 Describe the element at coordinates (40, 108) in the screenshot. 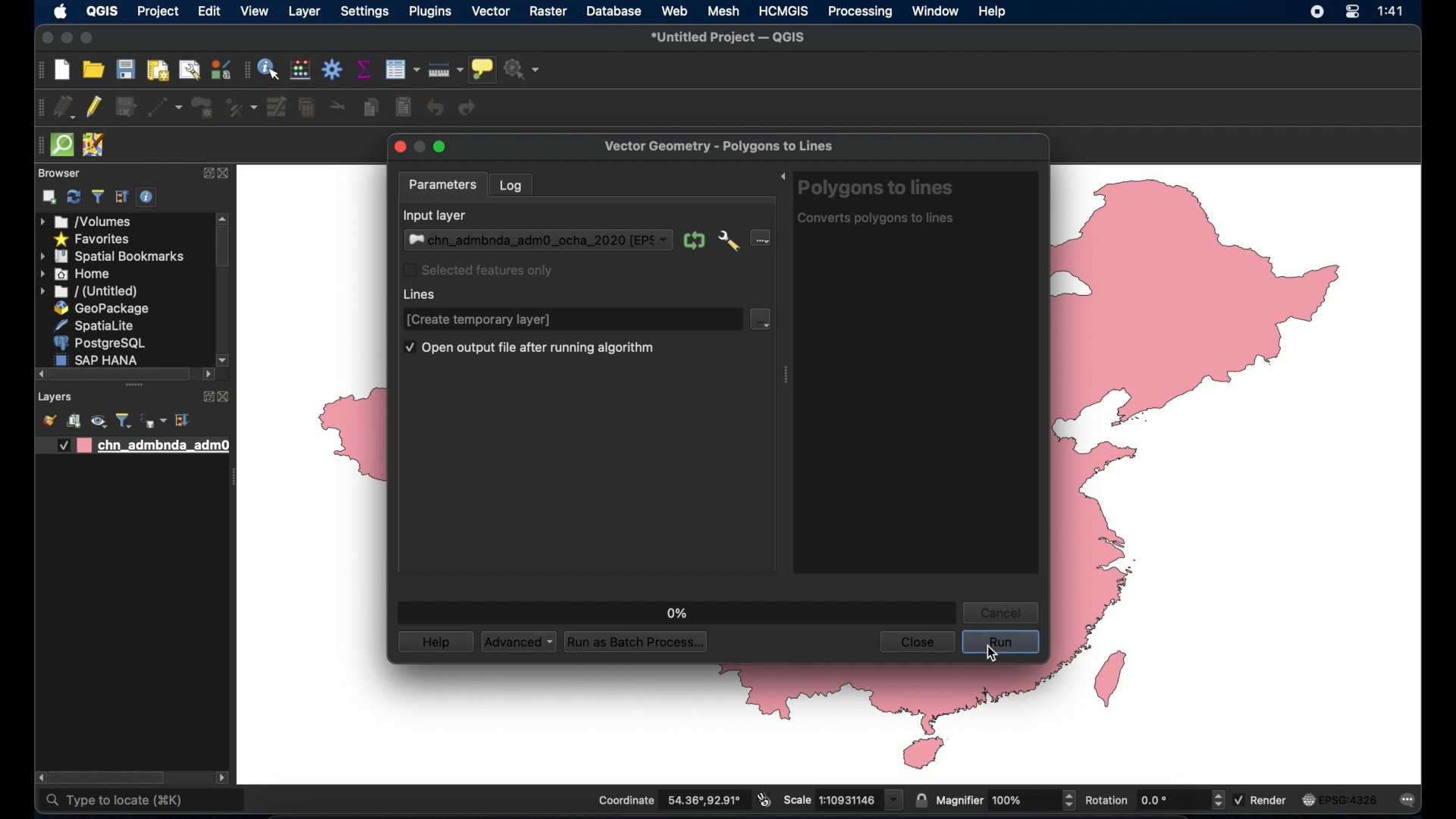

I see `digitizing toolbar` at that location.